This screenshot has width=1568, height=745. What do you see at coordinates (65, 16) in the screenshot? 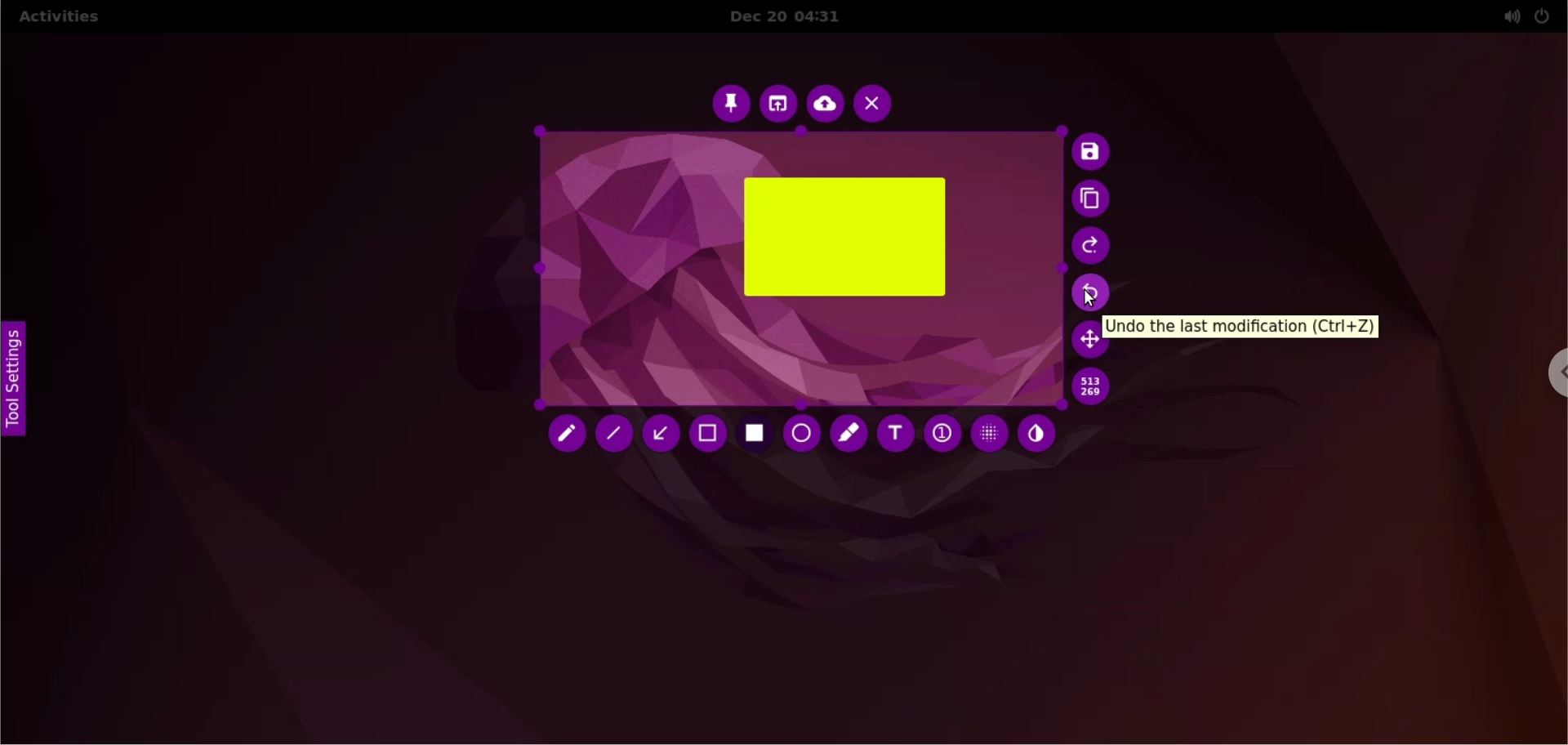
I see `activities` at bounding box center [65, 16].